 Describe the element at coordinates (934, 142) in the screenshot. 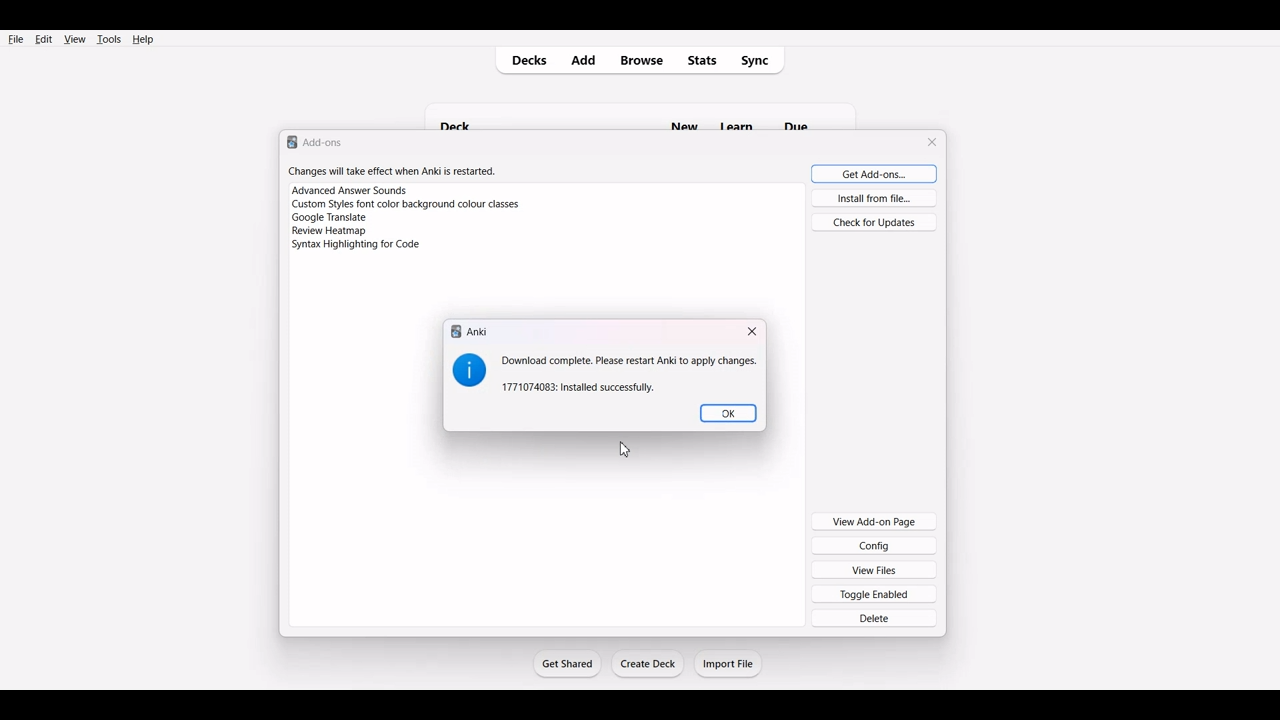

I see `Close` at that location.